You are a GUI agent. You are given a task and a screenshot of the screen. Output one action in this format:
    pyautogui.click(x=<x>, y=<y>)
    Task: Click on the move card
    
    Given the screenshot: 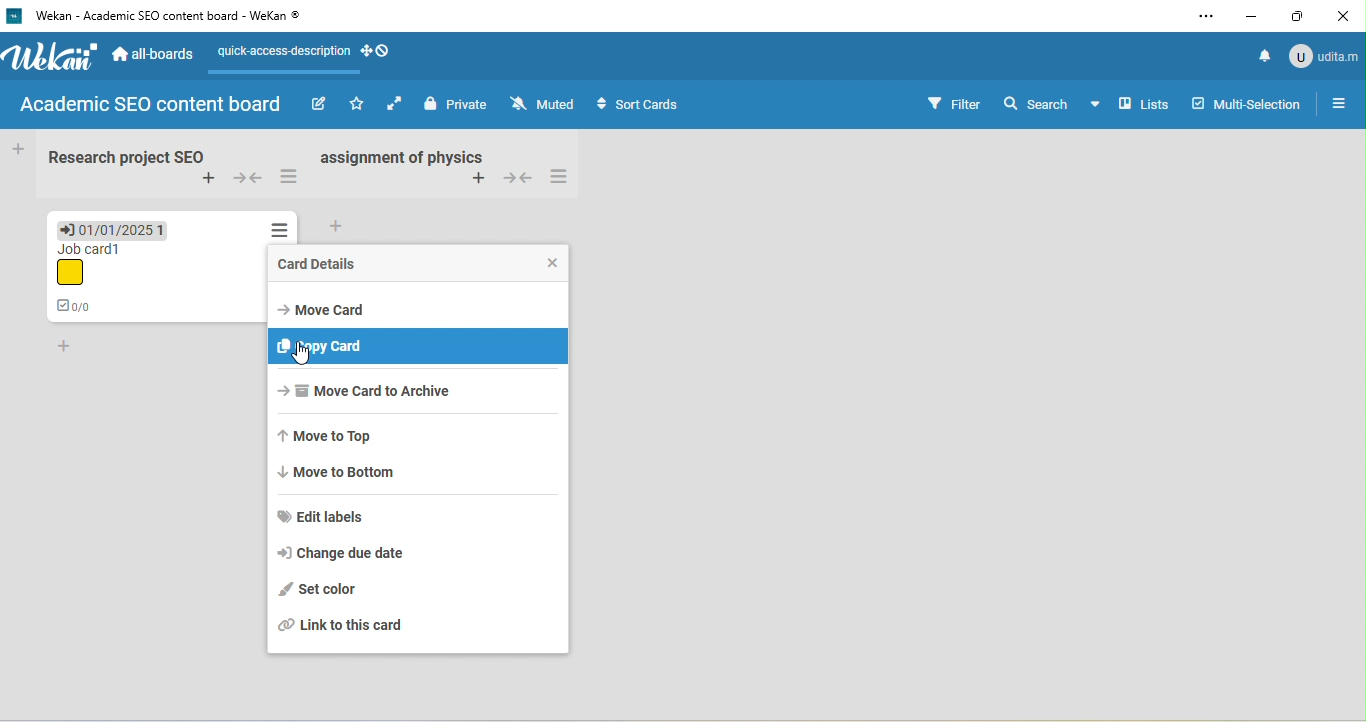 What is the action you would take?
    pyautogui.click(x=328, y=307)
    